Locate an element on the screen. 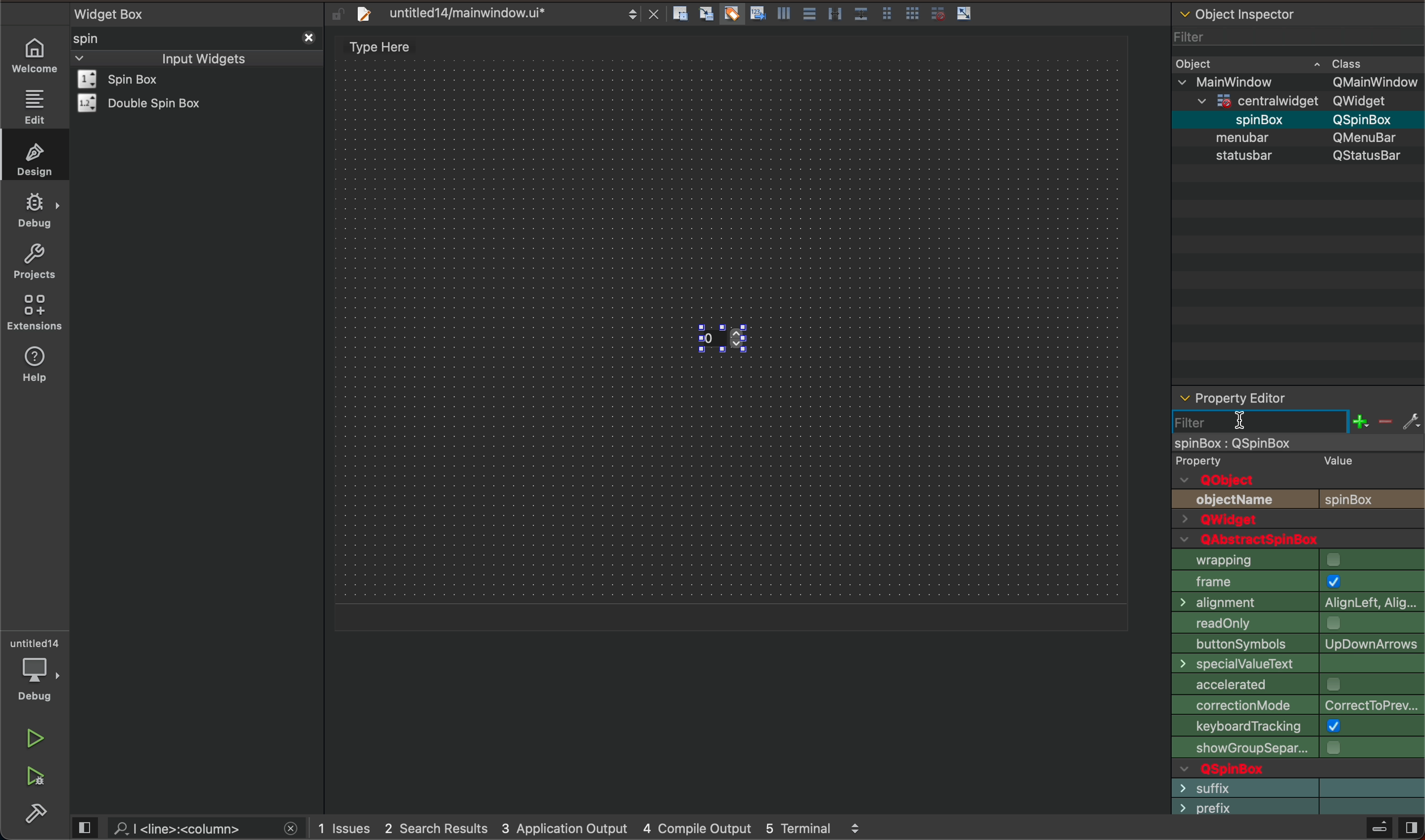 Image resolution: width=1425 pixels, height=840 pixels. run and debug is located at coordinates (37, 779).